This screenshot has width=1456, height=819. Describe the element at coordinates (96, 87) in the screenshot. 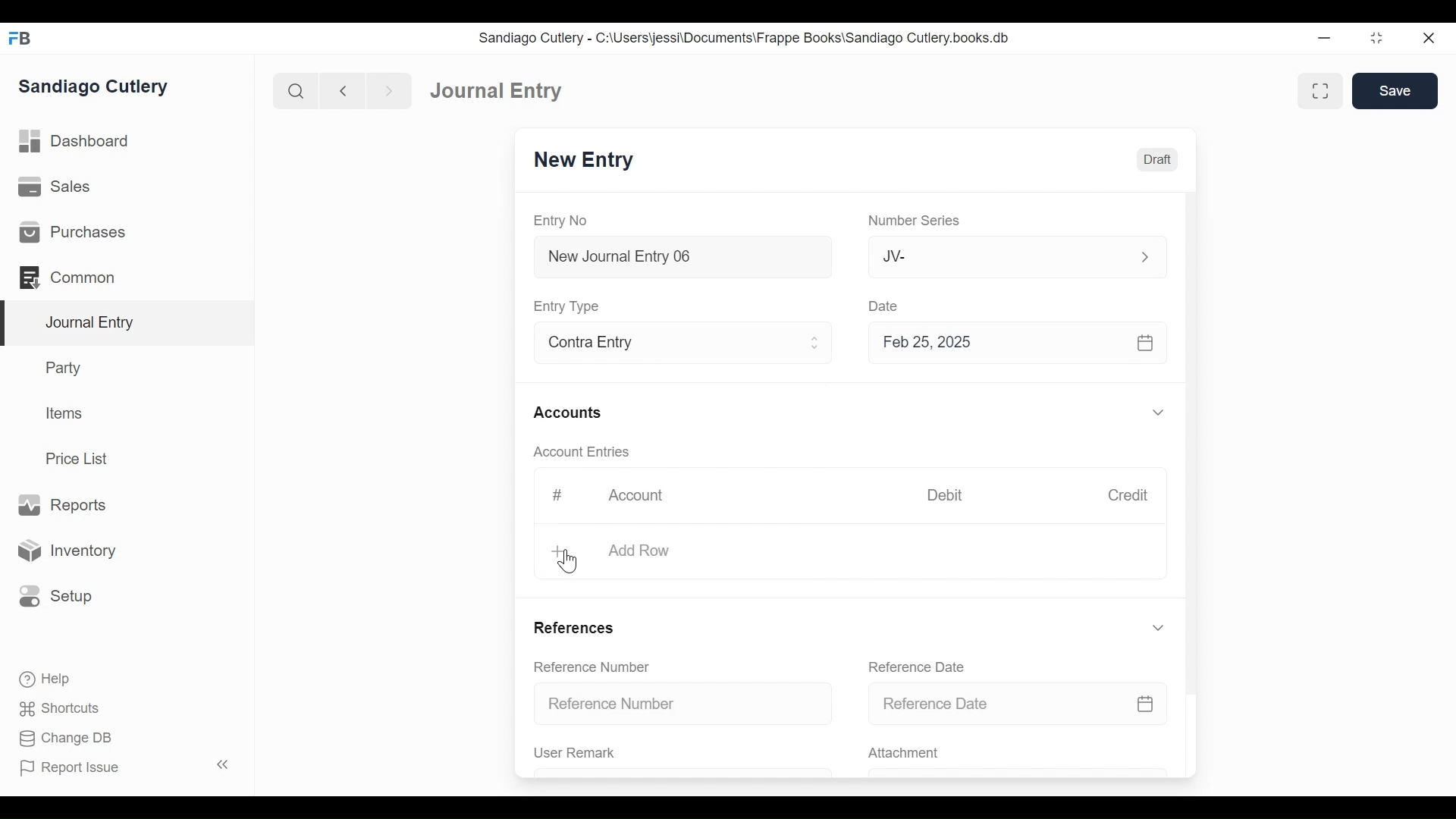

I see `Sandiago Cutlery` at that location.